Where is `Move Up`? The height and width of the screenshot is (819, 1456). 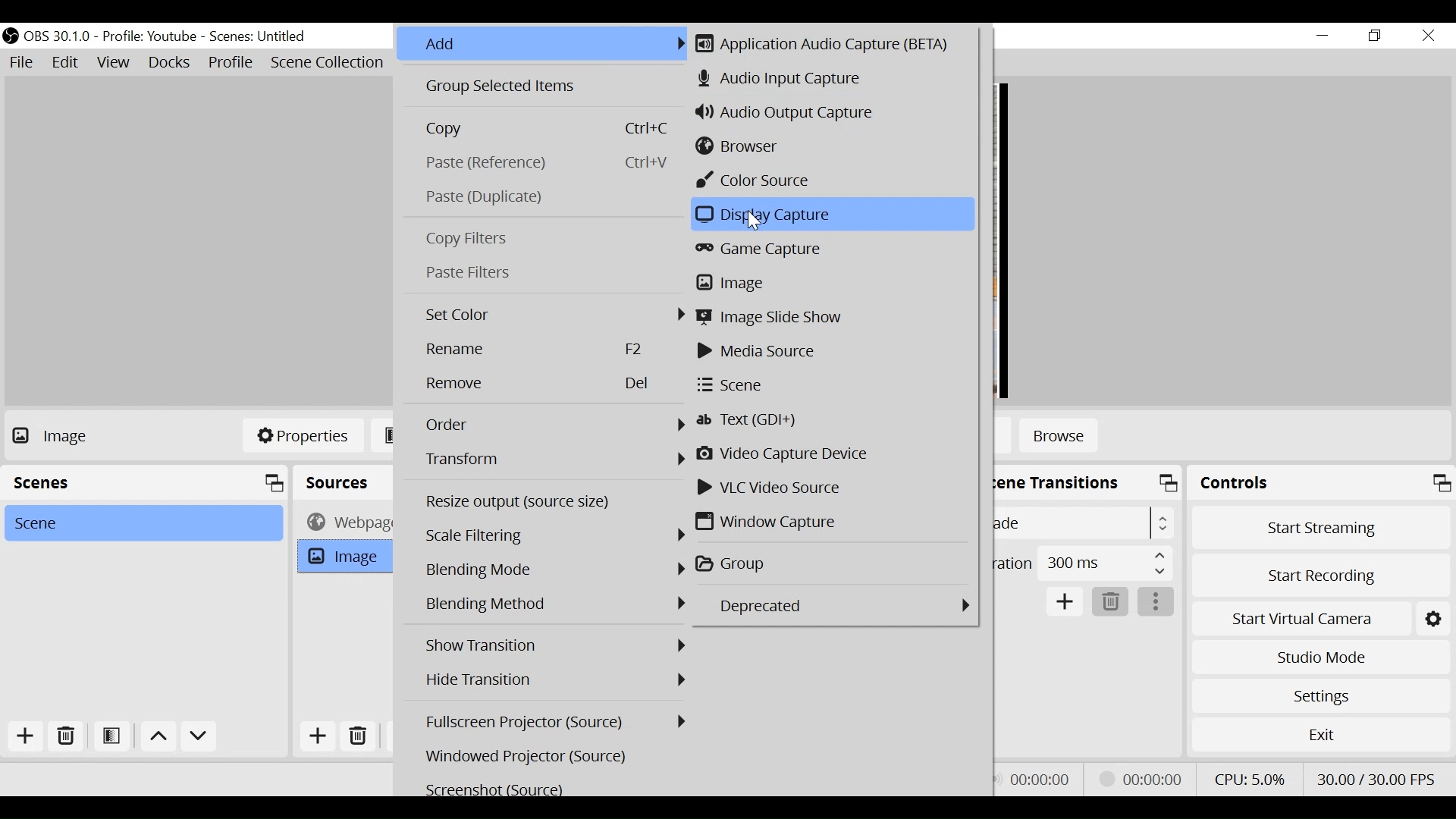 Move Up is located at coordinates (157, 738).